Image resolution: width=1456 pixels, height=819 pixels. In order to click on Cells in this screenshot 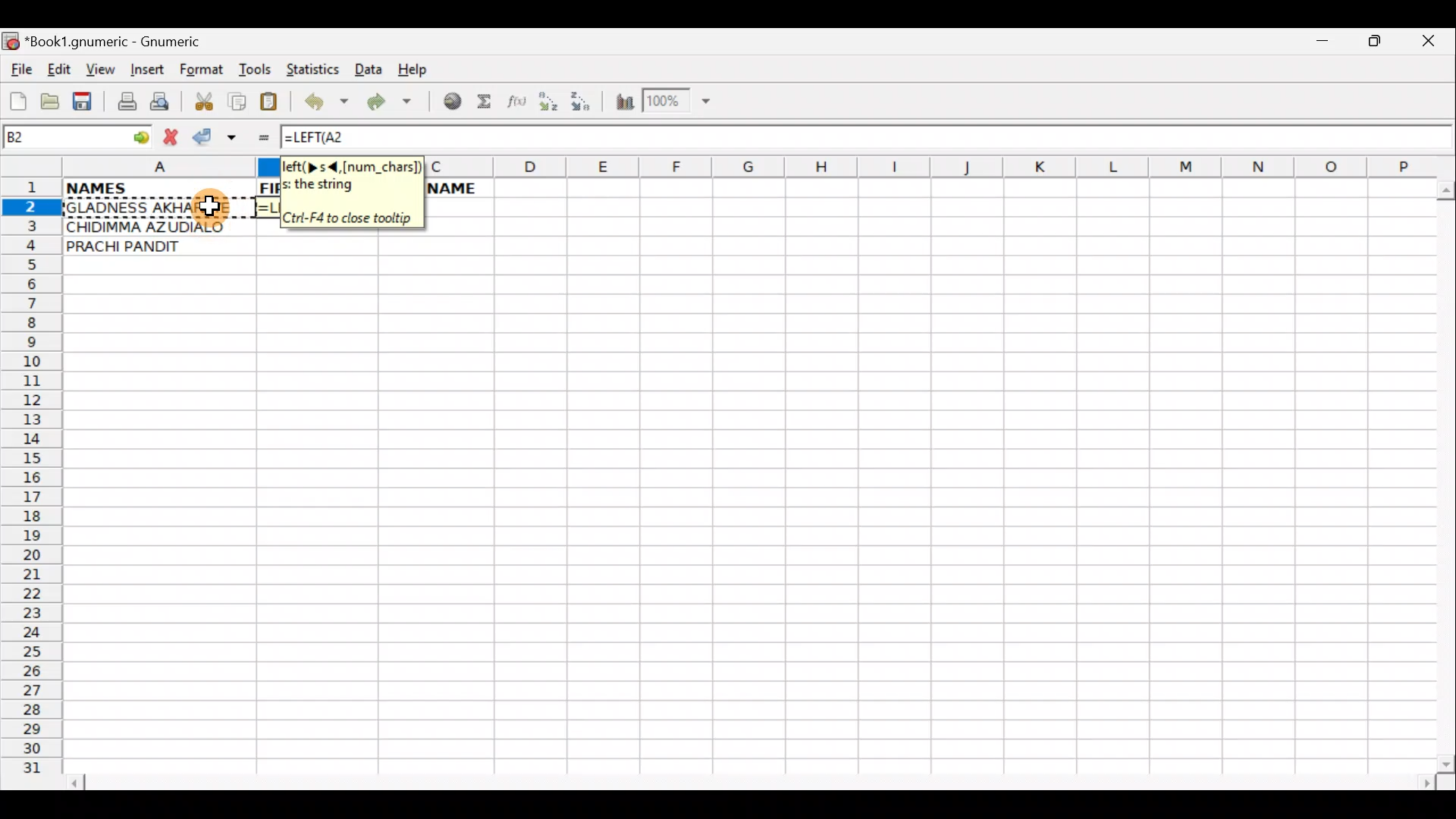, I will do `click(750, 528)`.